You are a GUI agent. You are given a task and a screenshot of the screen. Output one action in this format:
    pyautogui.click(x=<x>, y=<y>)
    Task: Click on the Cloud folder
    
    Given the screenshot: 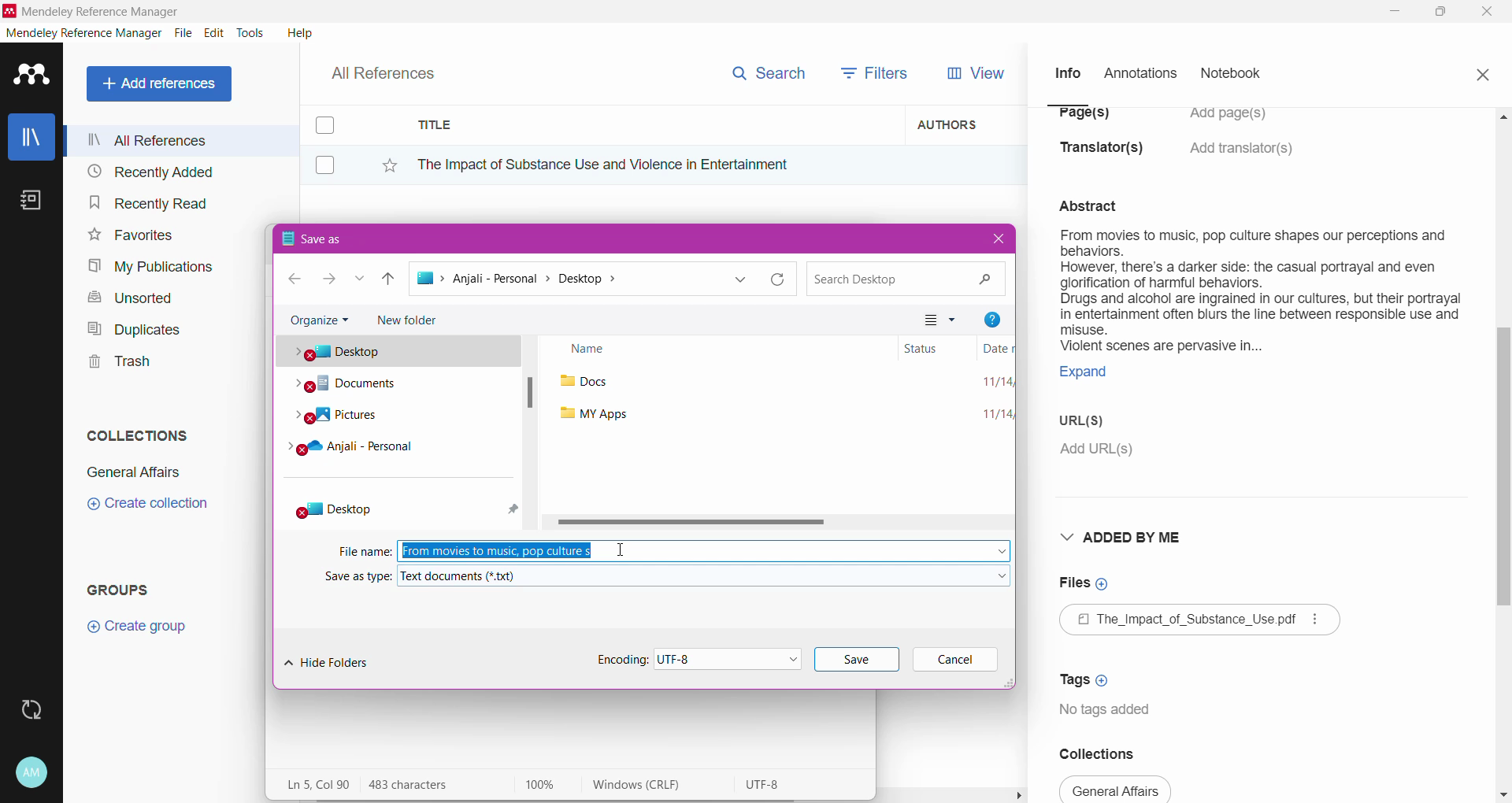 What is the action you would take?
    pyautogui.click(x=364, y=453)
    